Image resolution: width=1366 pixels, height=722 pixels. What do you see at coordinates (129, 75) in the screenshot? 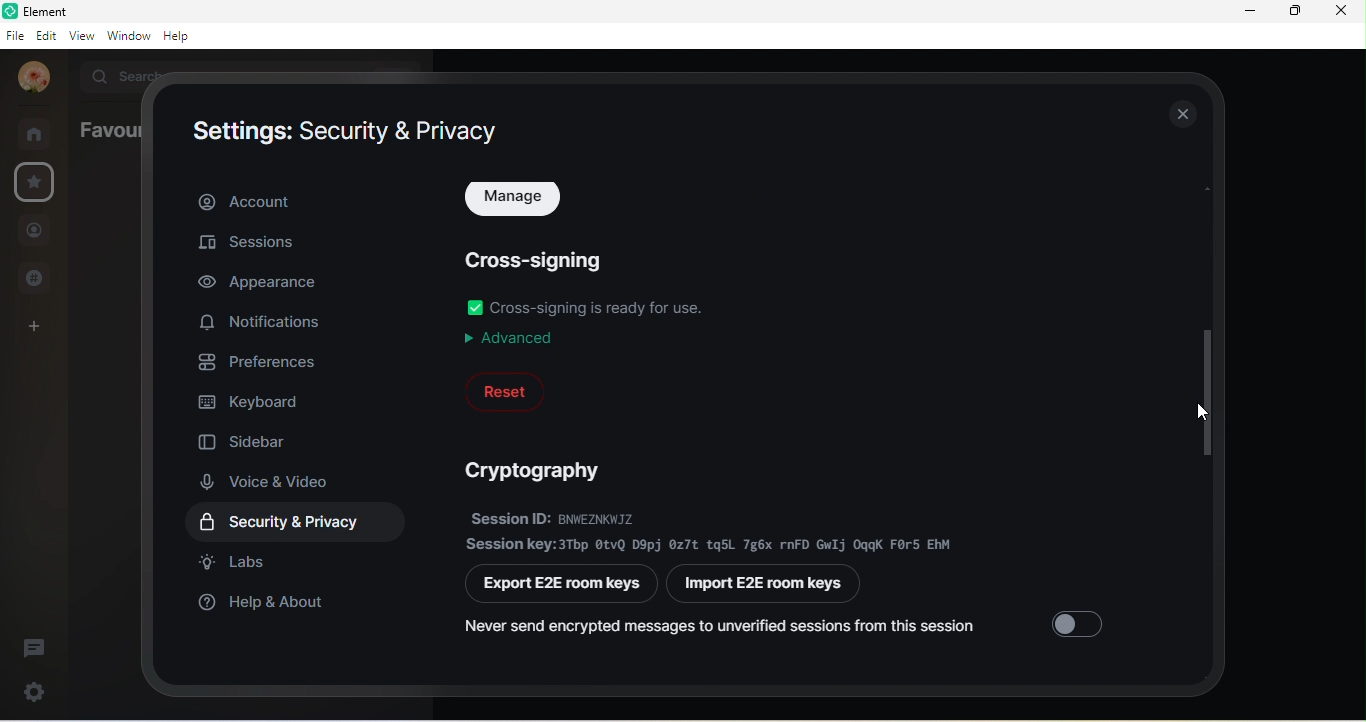
I see `search` at bounding box center [129, 75].